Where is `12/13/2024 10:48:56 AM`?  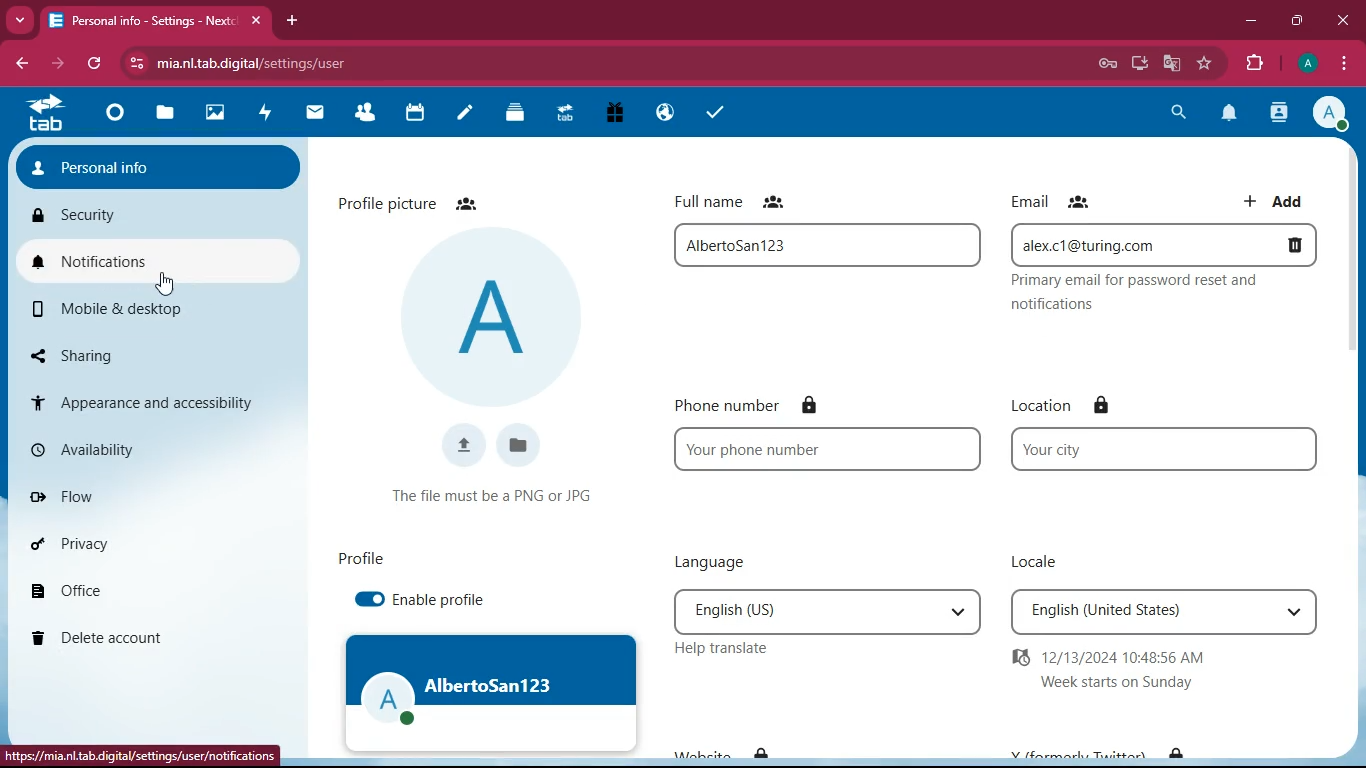
12/13/2024 10:48:56 AM is located at coordinates (1097, 657).